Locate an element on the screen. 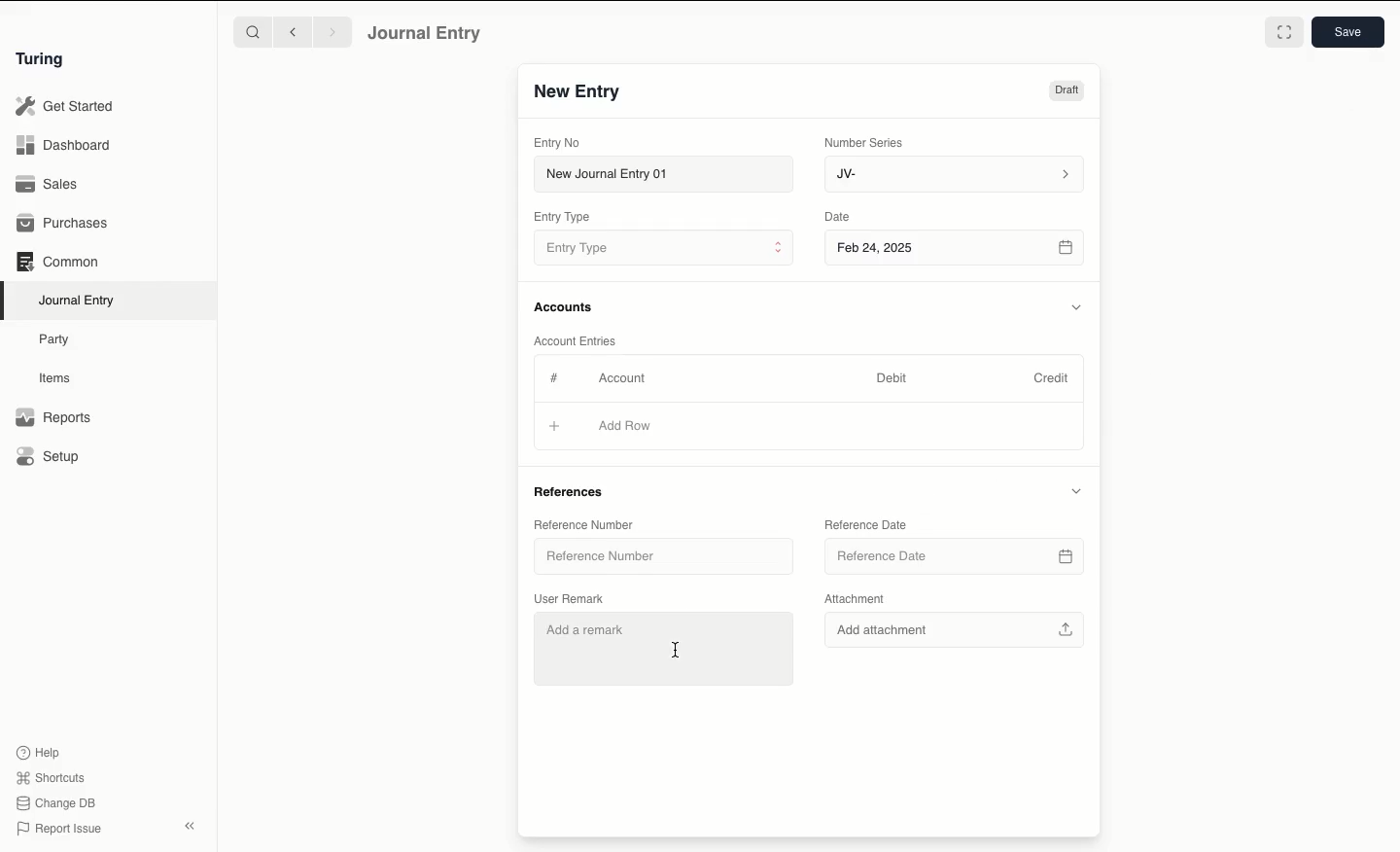 The image size is (1400, 852). Attachment is located at coordinates (857, 598).